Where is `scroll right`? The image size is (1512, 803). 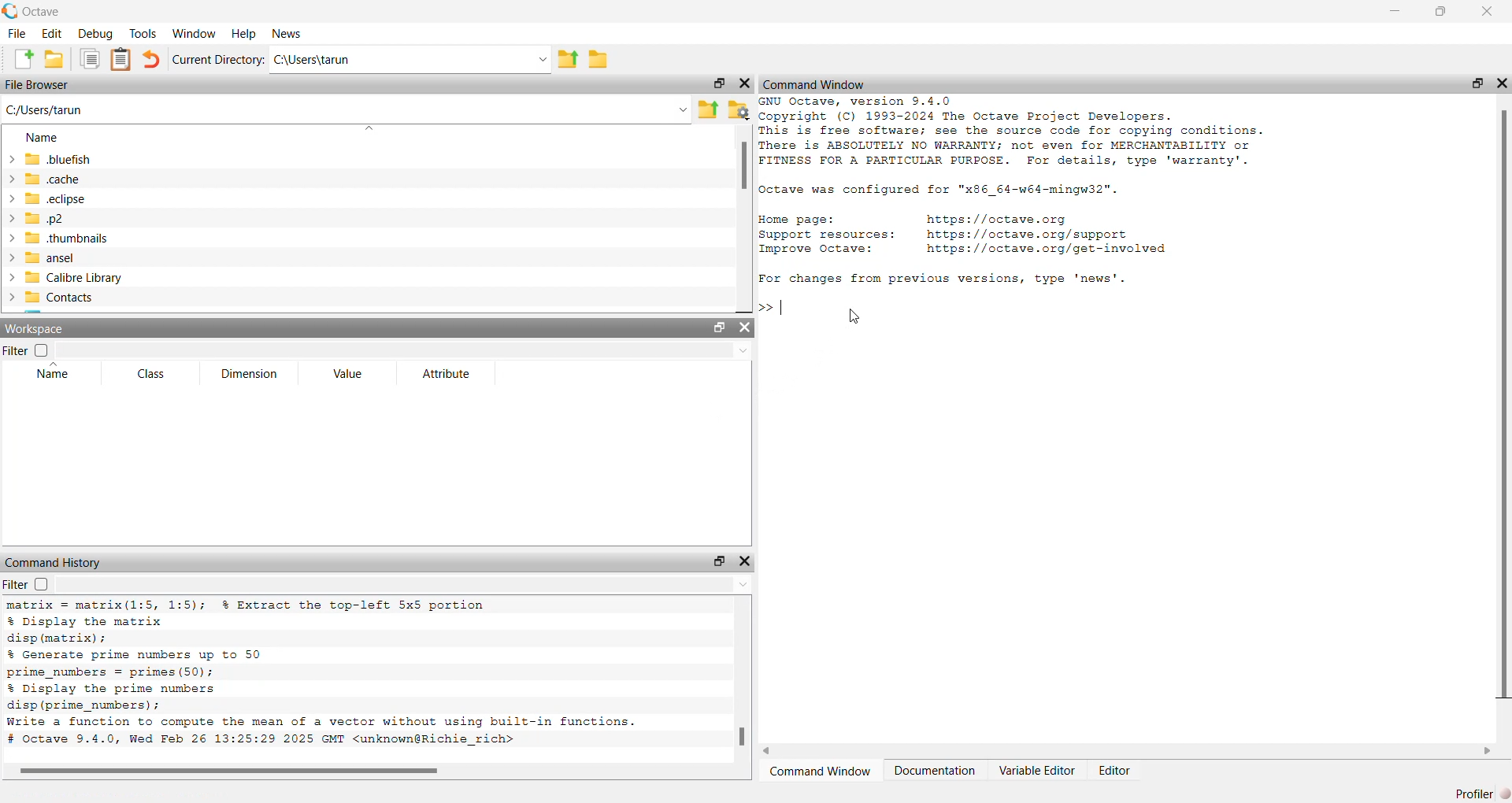
scroll right is located at coordinates (1488, 751).